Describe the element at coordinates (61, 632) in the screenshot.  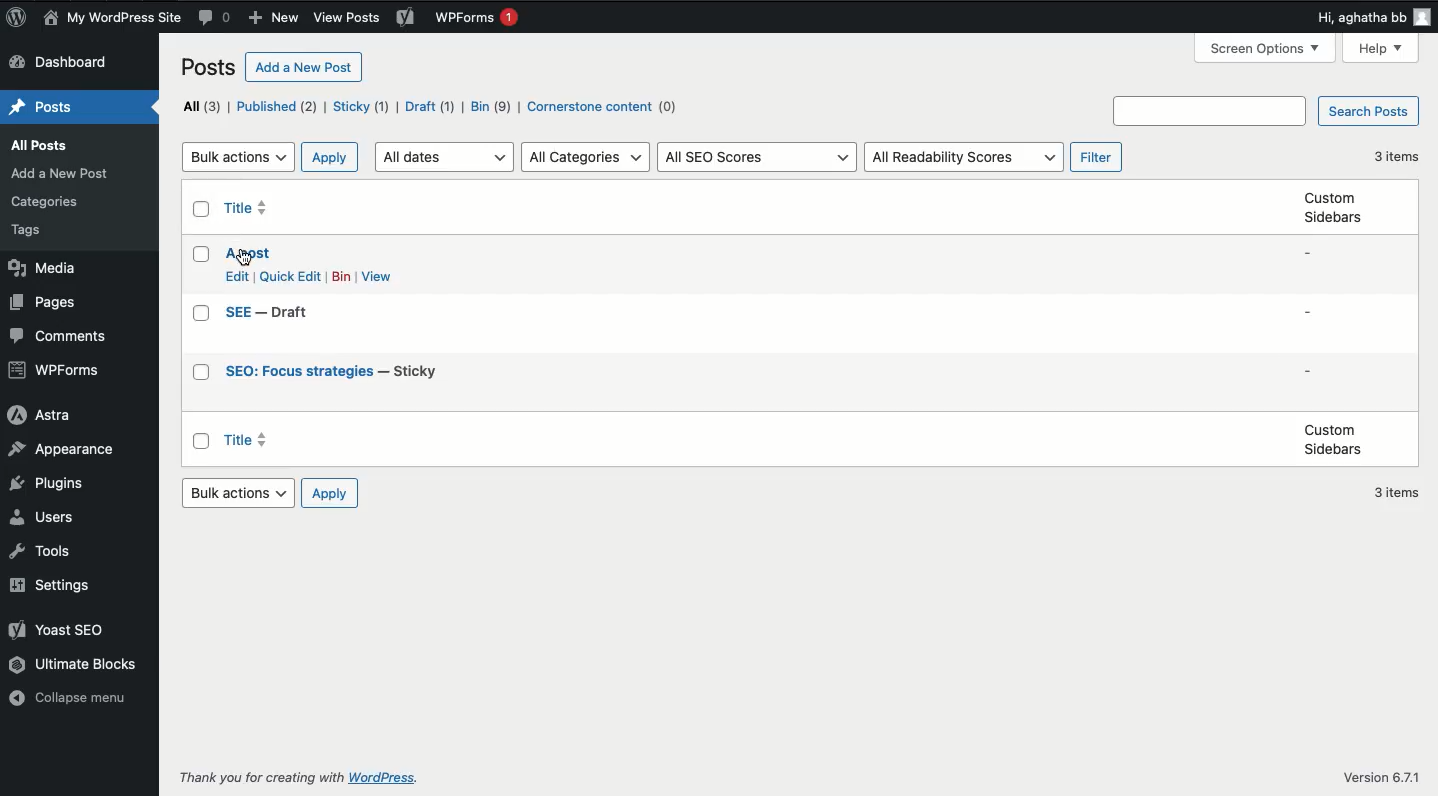
I see `Yoast SEO` at that location.